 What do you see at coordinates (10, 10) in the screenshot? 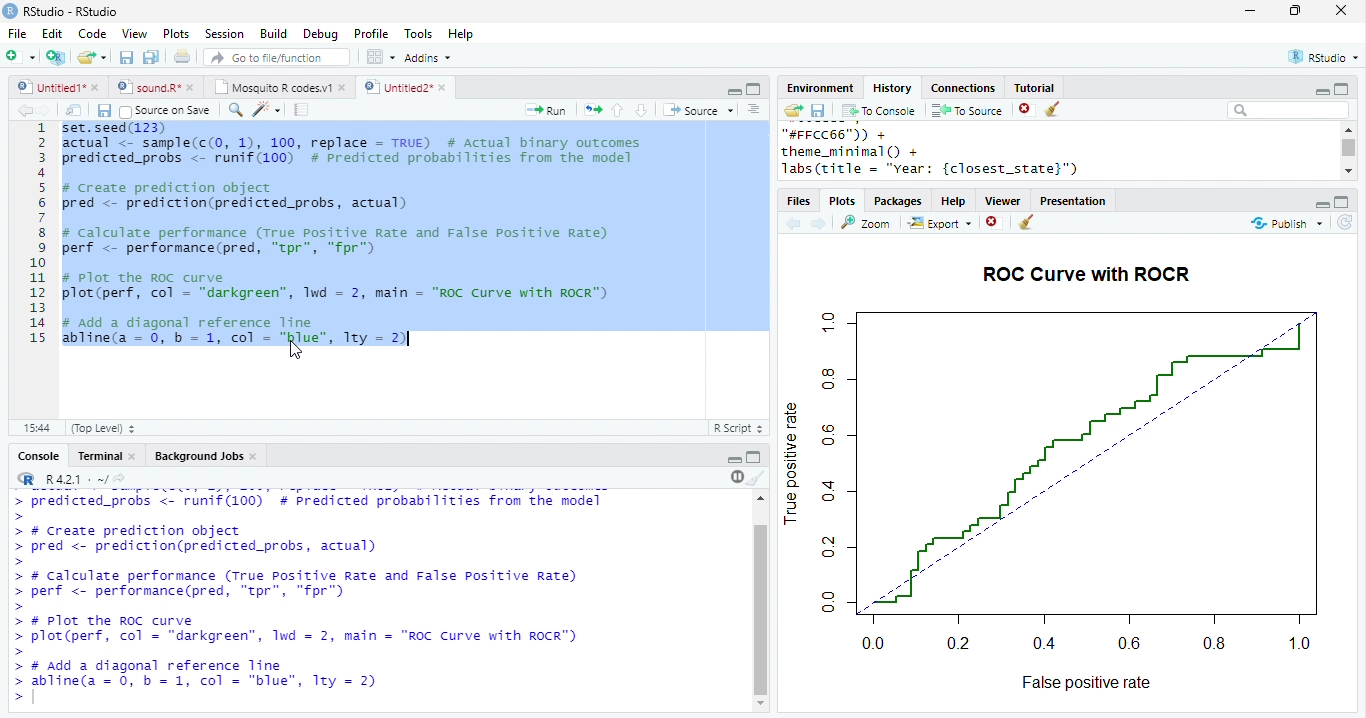
I see `logo` at bounding box center [10, 10].